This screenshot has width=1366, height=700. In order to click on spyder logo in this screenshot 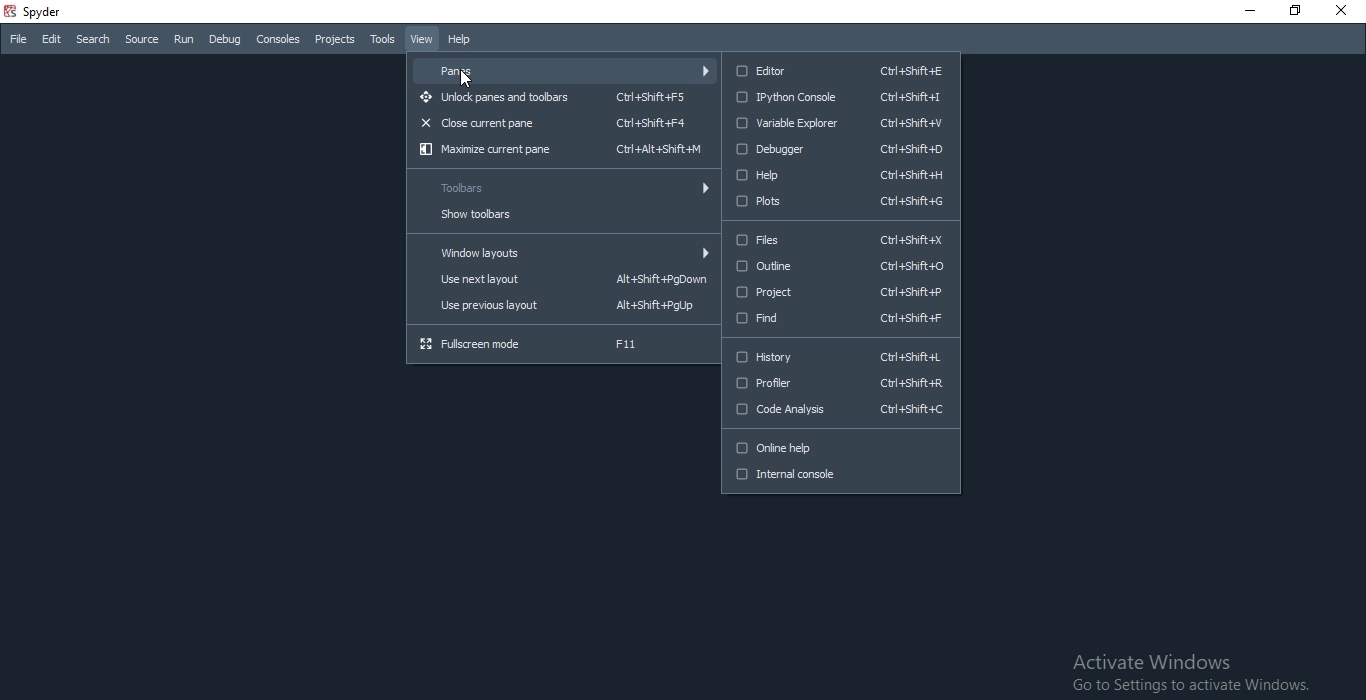, I will do `click(10, 14)`.